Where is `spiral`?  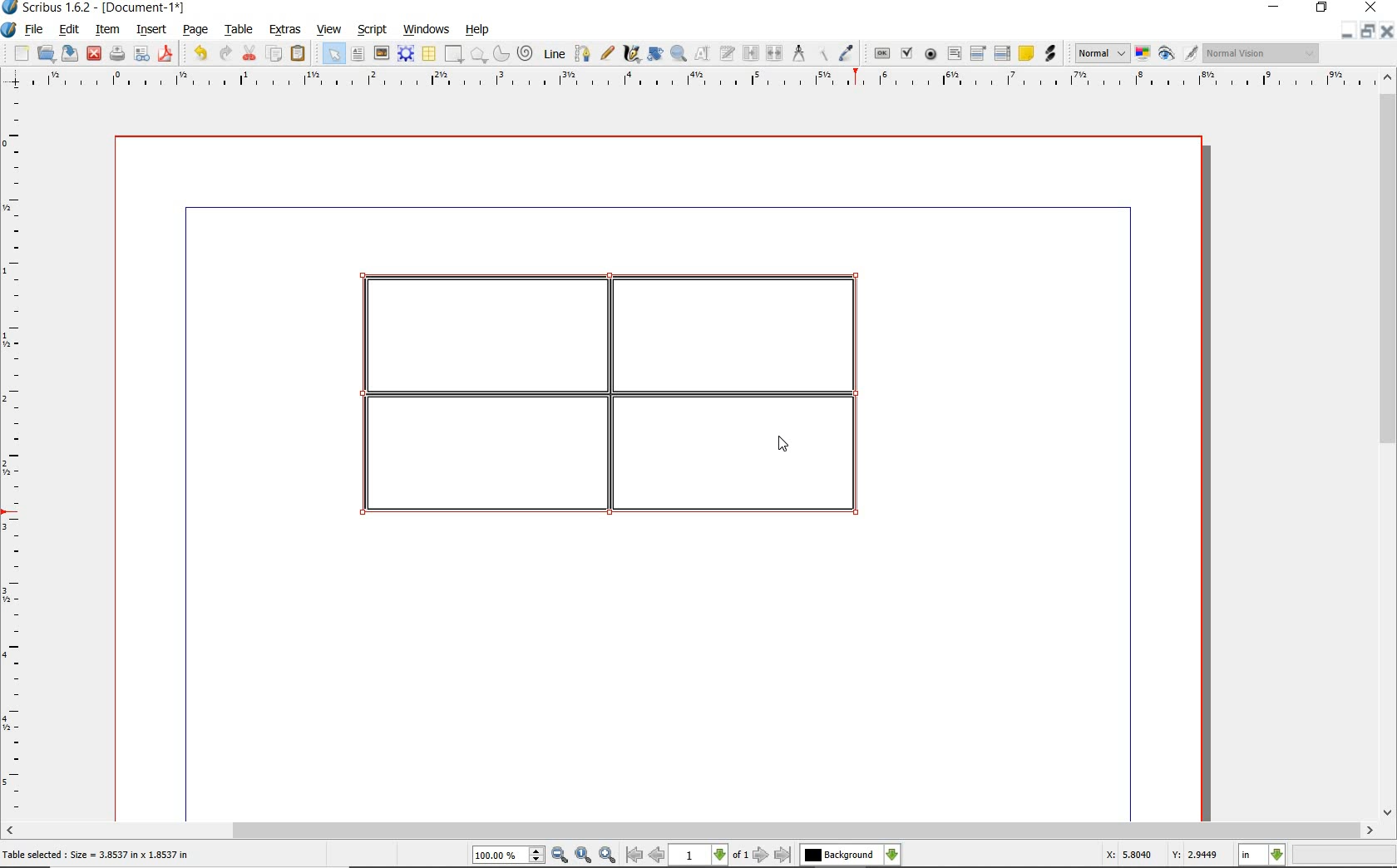
spiral is located at coordinates (526, 54).